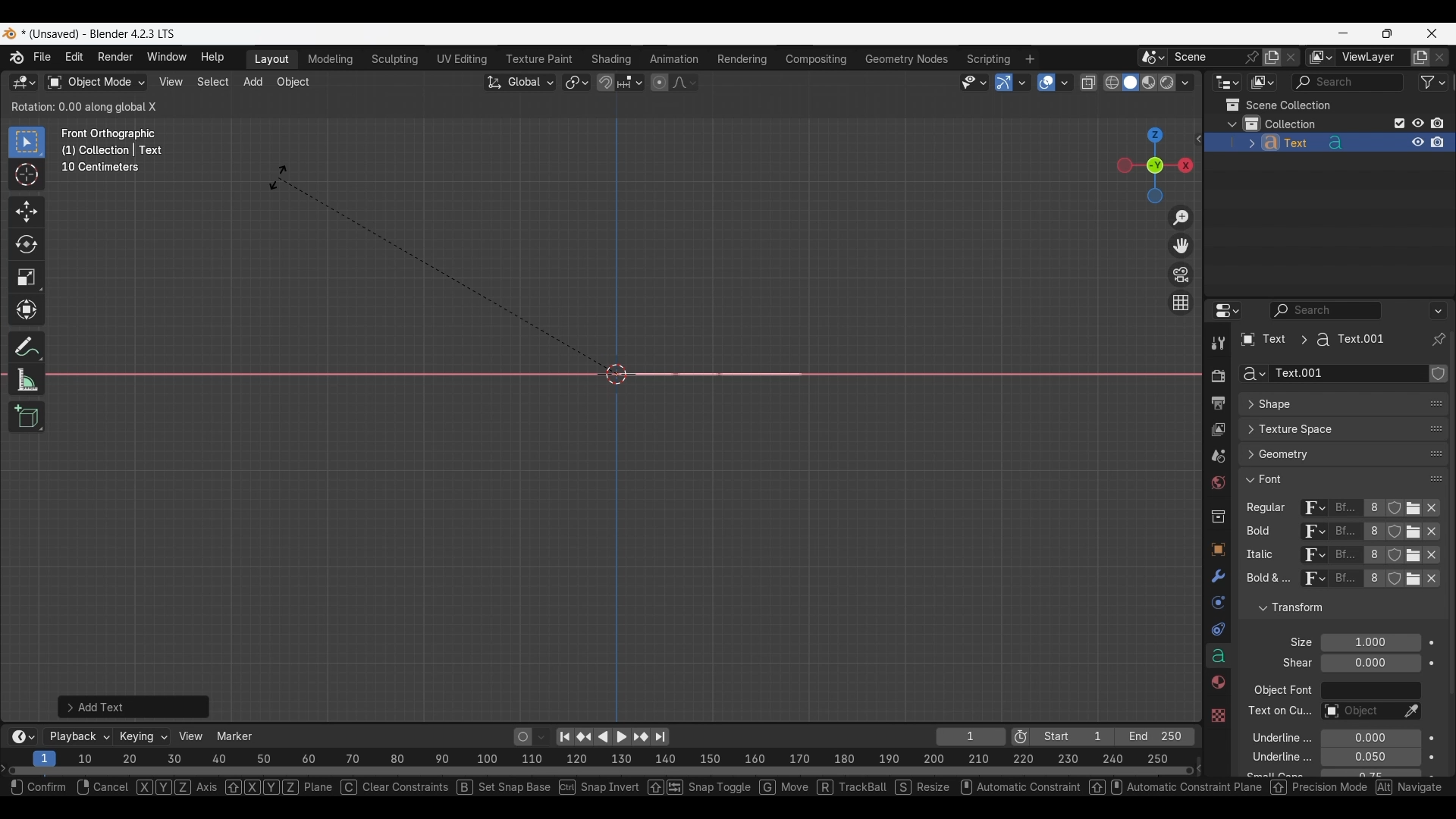 This screenshot has width=1456, height=819. What do you see at coordinates (331, 60) in the screenshot?
I see `Medeling workspace` at bounding box center [331, 60].